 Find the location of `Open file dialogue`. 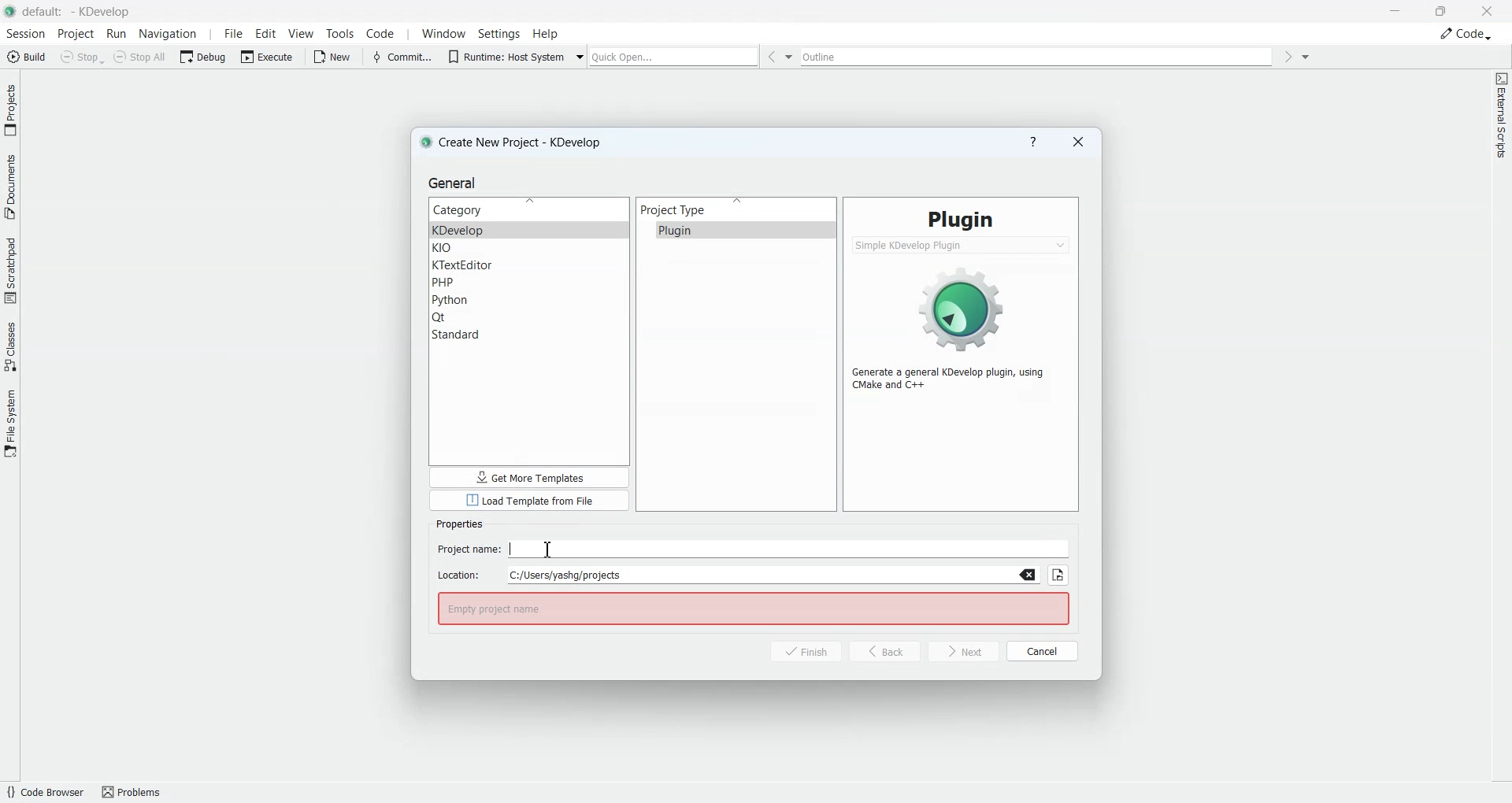

Open file dialogue is located at coordinates (1058, 575).